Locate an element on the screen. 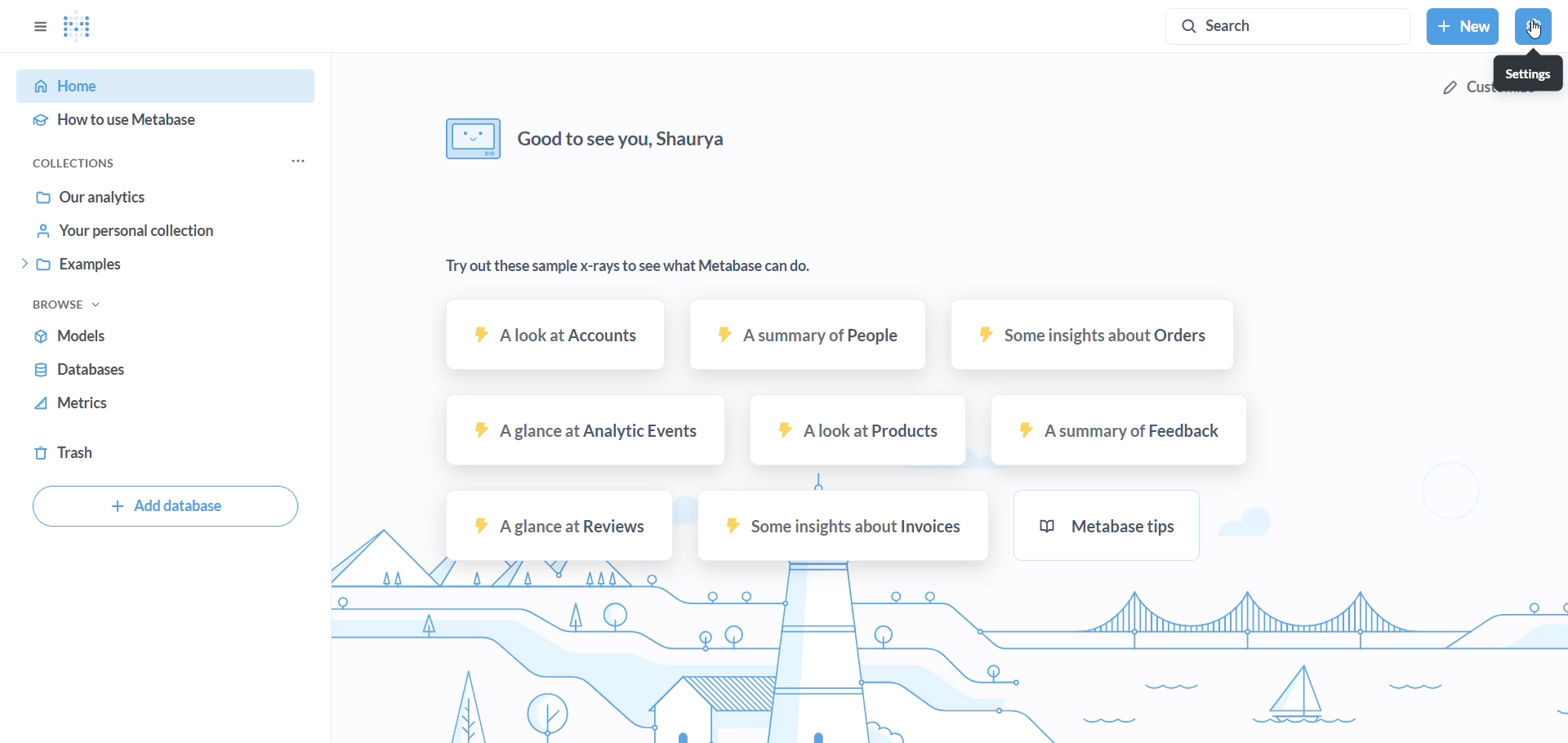 This screenshot has width=1568, height=743. Good to see you, Shaurya is located at coordinates (579, 137).